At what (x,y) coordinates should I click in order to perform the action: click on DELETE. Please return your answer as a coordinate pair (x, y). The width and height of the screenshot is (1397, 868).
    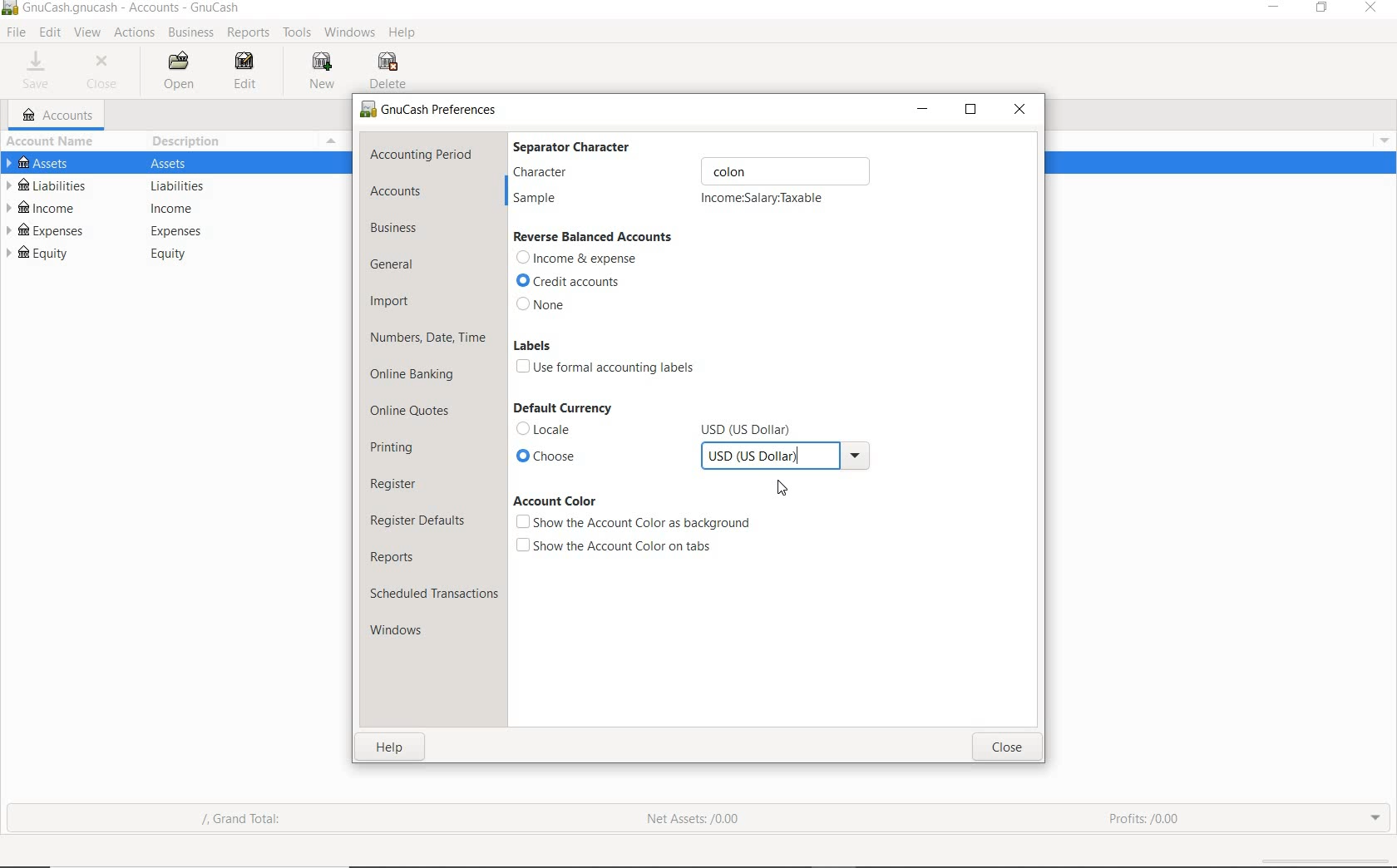
    Looking at the image, I should click on (392, 71).